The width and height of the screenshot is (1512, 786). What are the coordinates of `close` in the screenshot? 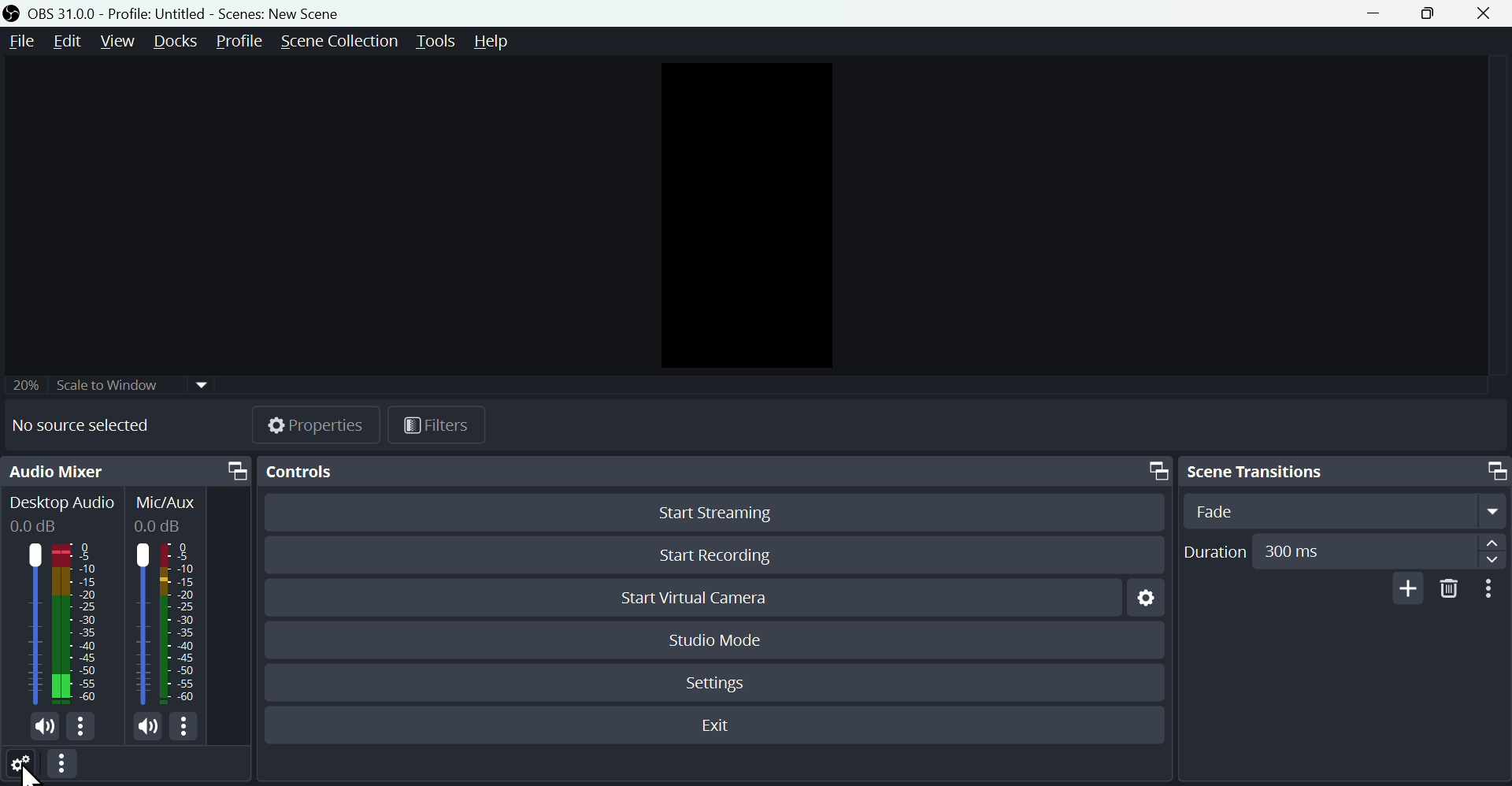 It's located at (1488, 13).